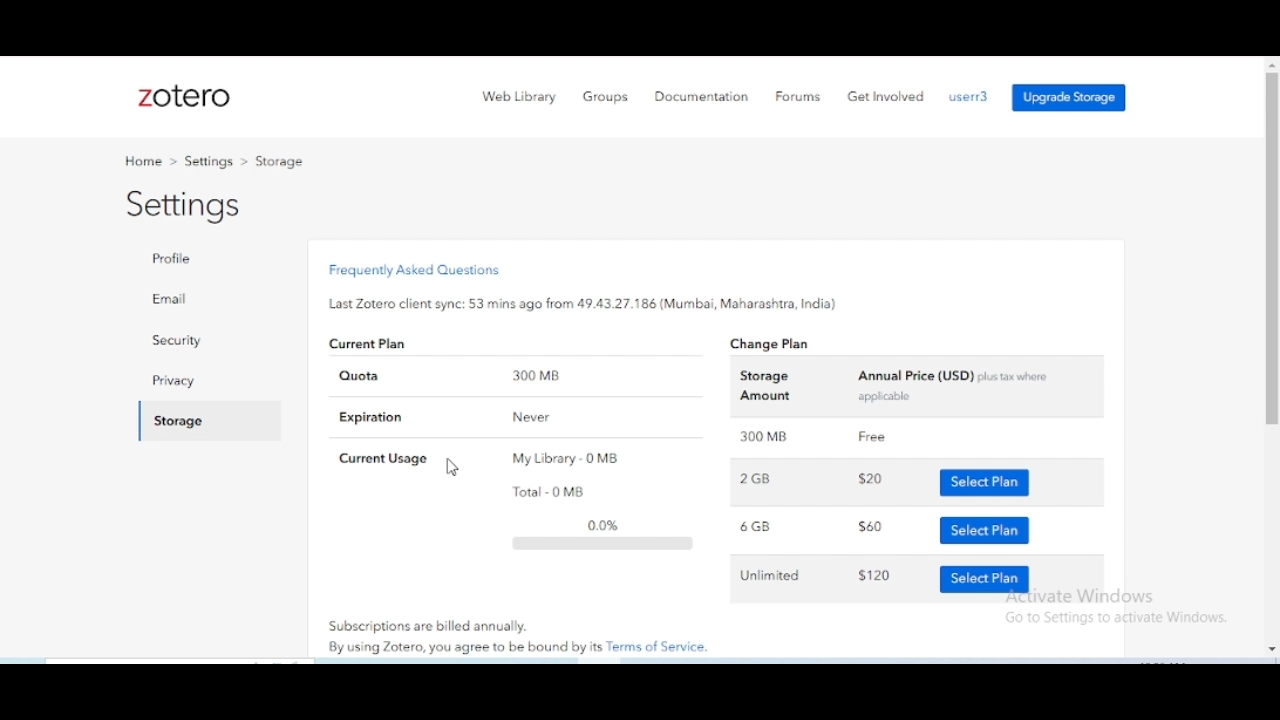 The image size is (1280, 720). What do you see at coordinates (756, 479) in the screenshot?
I see `2 GB` at bounding box center [756, 479].